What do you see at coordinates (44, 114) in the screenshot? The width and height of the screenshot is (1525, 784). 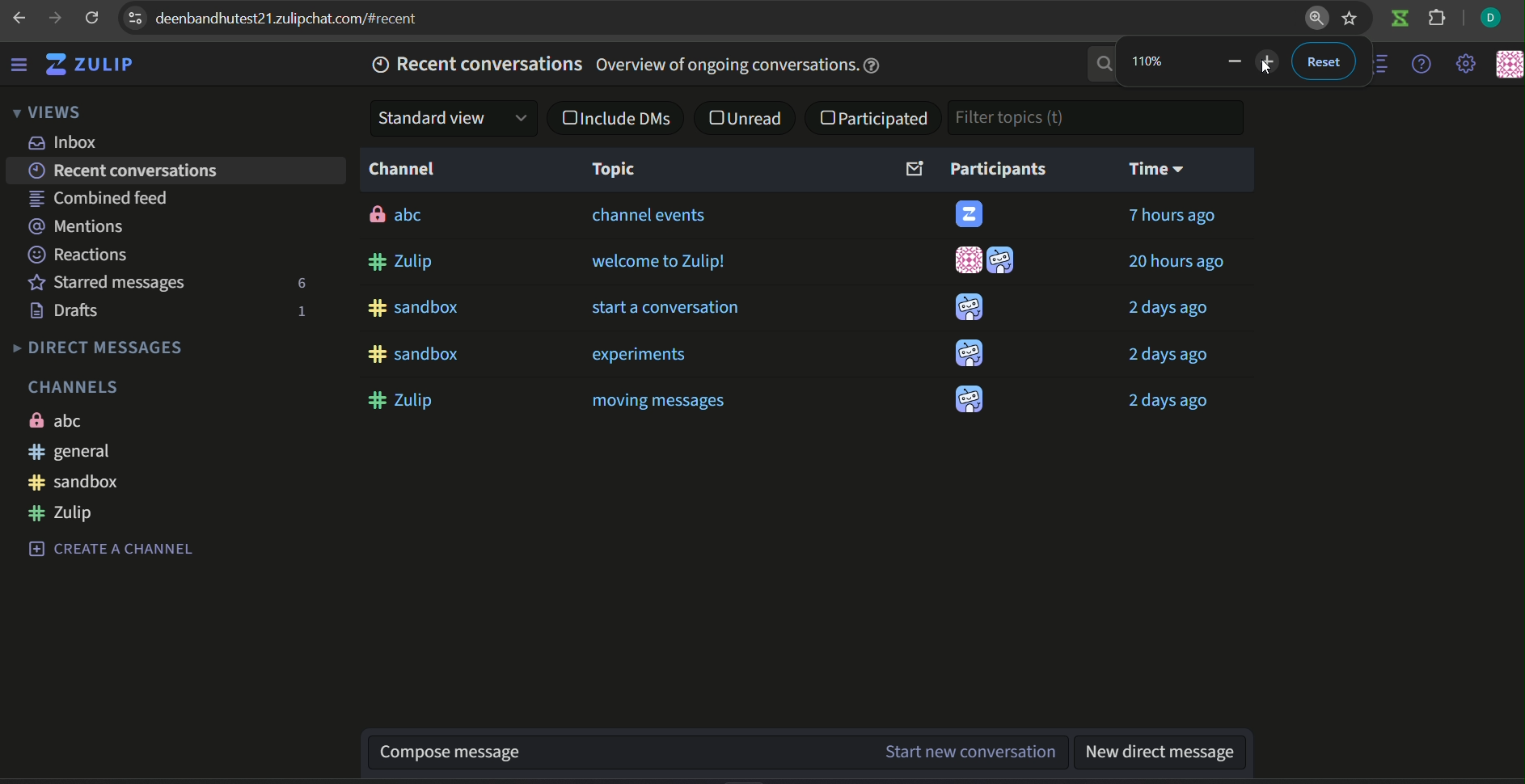 I see `VIEWS` at bounding box center [44, 114].